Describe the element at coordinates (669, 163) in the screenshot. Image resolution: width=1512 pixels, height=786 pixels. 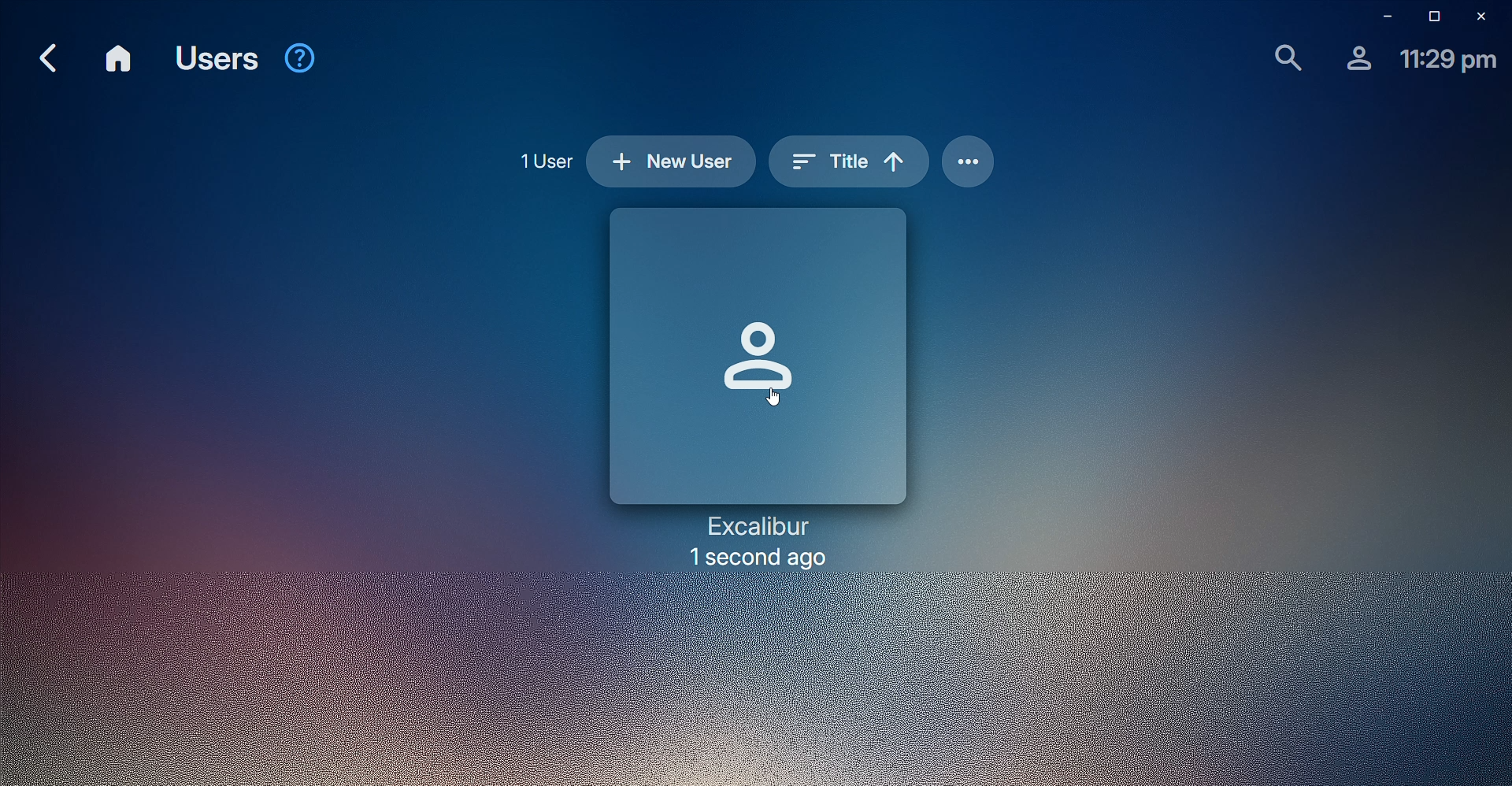
I see `New User` at that location.